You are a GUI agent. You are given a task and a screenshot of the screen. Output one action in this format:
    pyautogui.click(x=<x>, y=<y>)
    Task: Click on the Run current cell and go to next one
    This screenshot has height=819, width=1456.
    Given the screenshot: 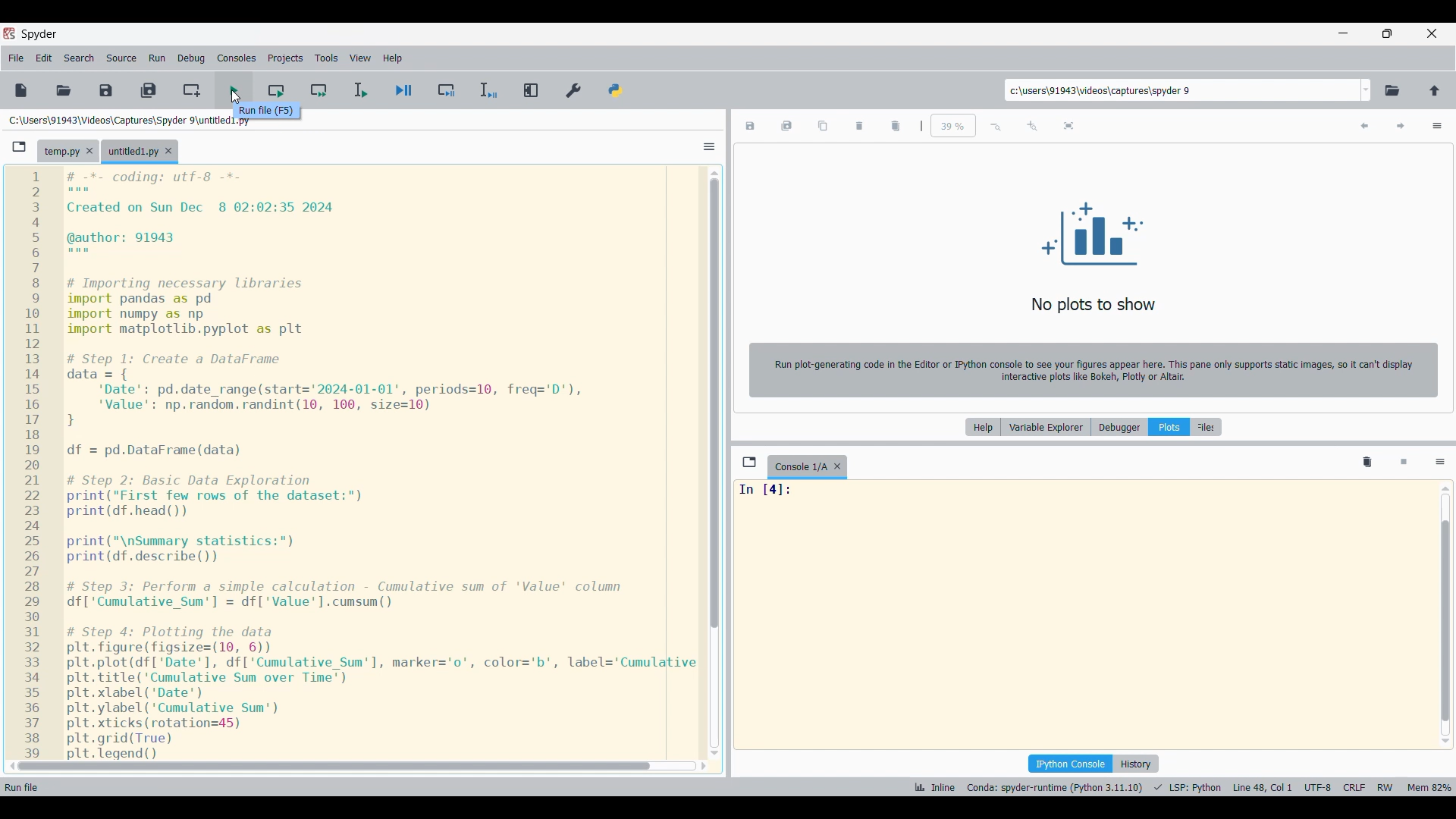 What is the action you would take?
    pyautogui.click(x=319, y=91)
    